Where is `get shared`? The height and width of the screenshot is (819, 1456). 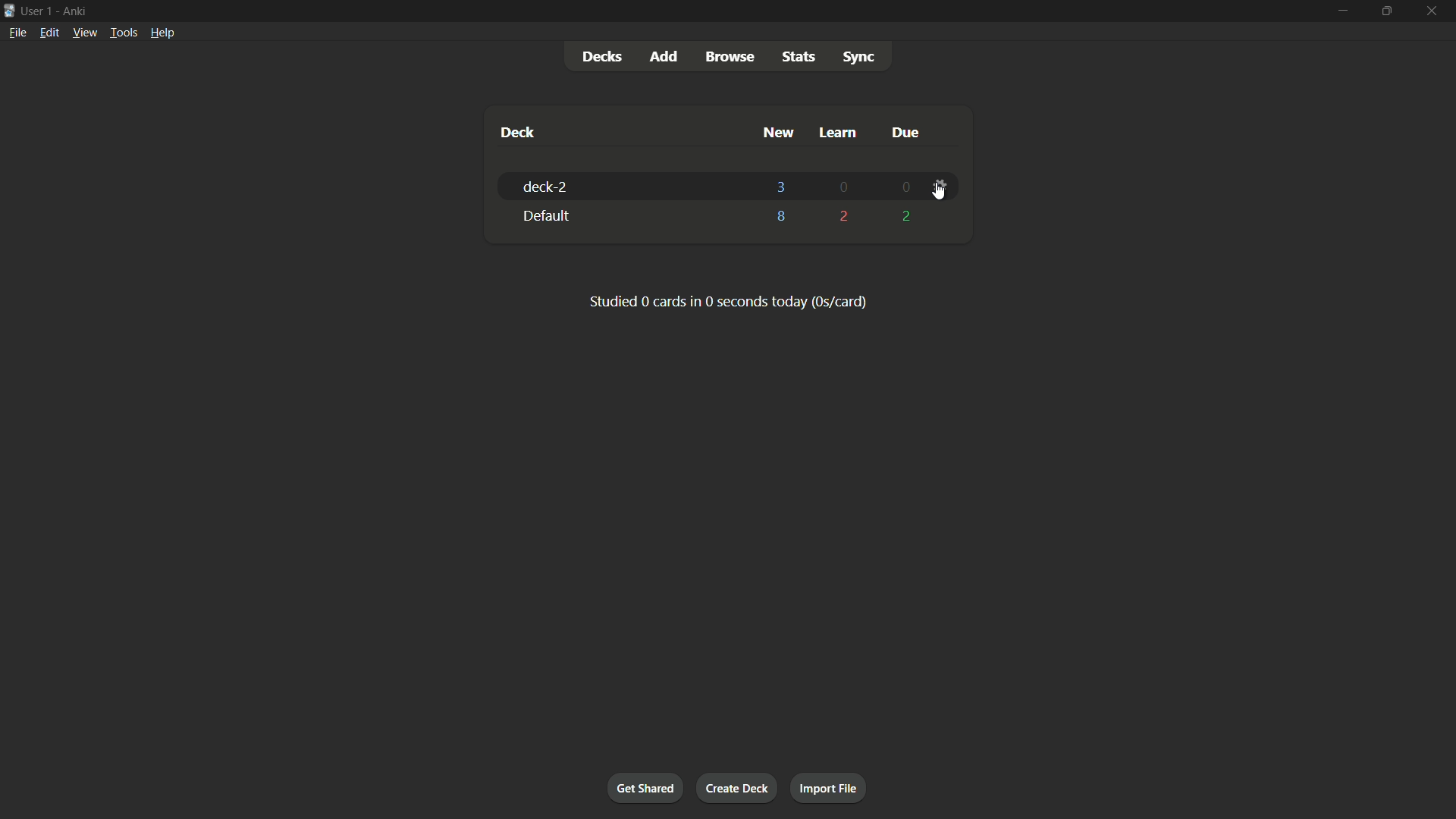
get shared is located at coordinates (648, 787).